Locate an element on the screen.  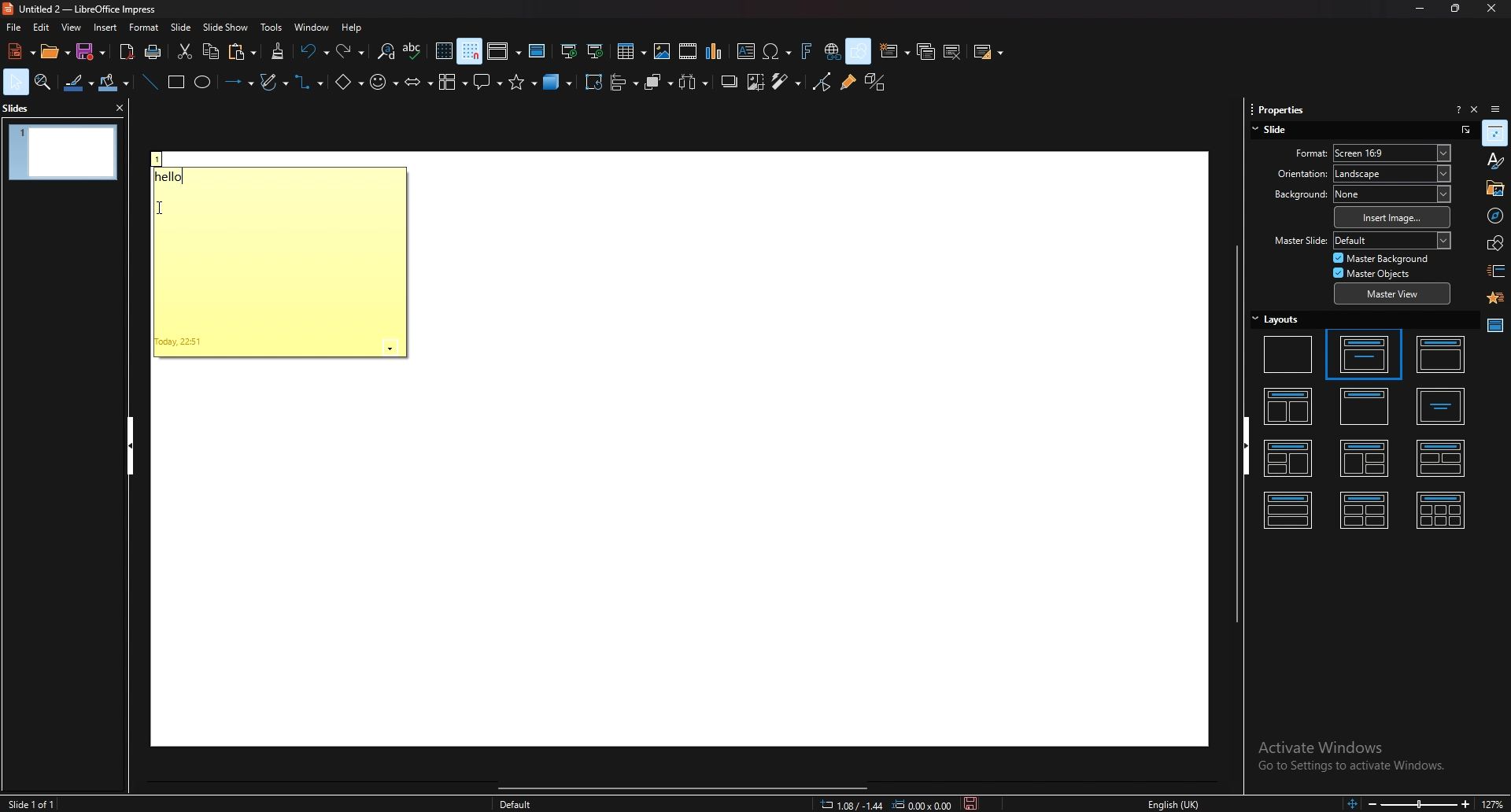
Master Slide is located at coordinates (1299, 241).